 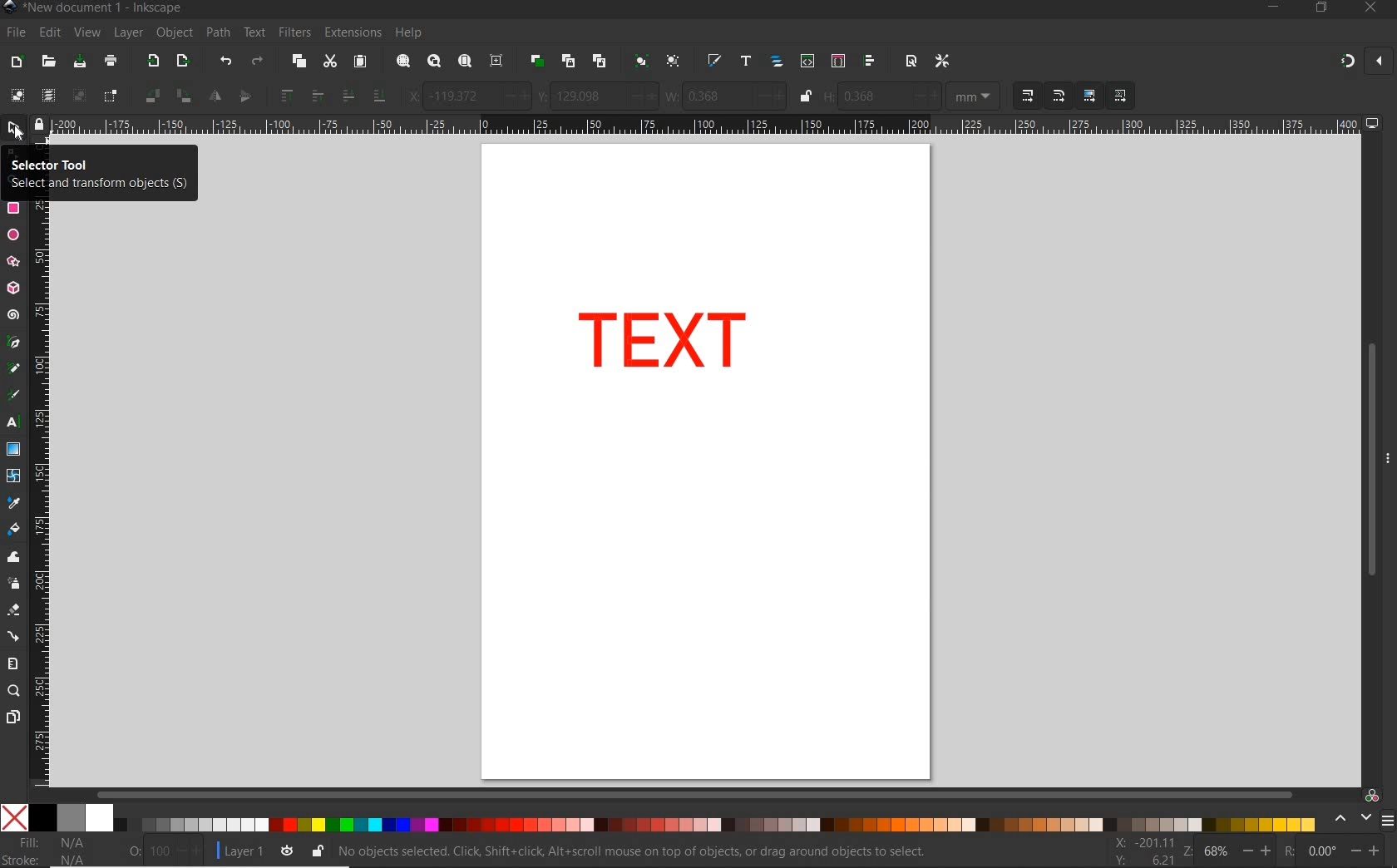 I want to click on OPEN PREFERENCES, so click(x=944, y=61).